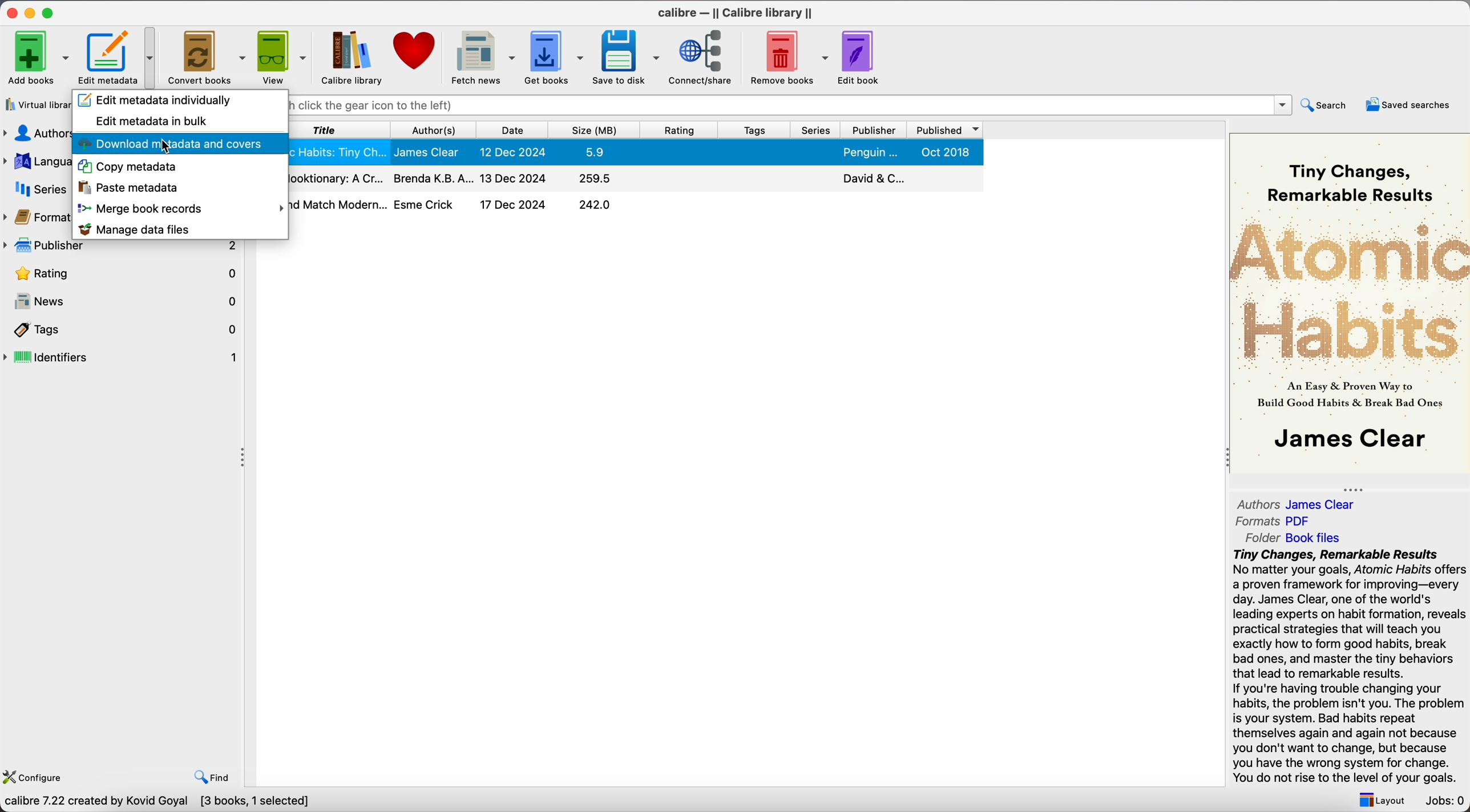 The image size is (1470, 812). Describe the element at coordinates (342, 177) in the screenshot. I see `The Hooktionary: A Cr...` at that location.